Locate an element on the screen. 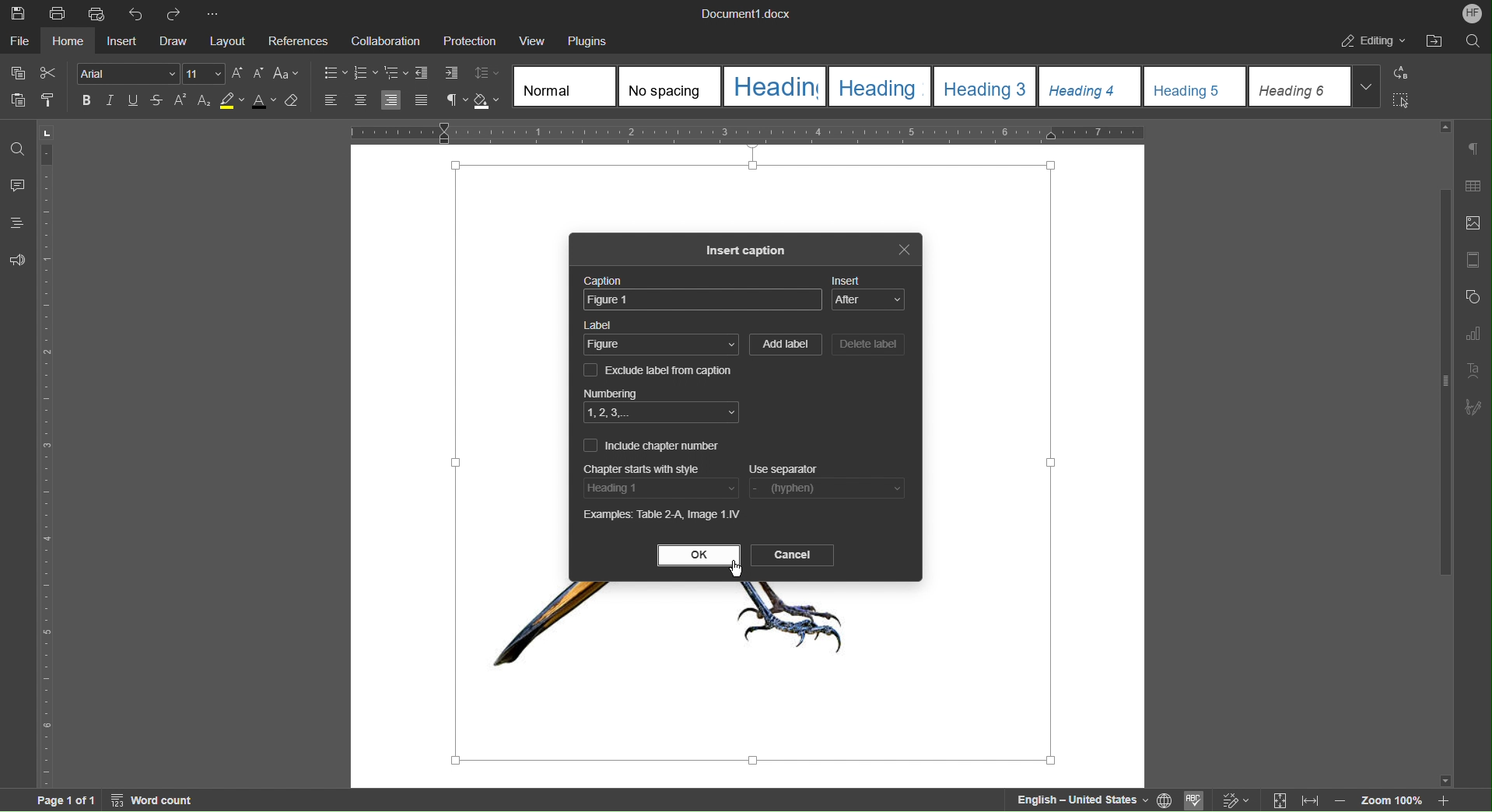 The width and height of the screenshot is (1492, 812). Label is located at coordinates (599, 324).